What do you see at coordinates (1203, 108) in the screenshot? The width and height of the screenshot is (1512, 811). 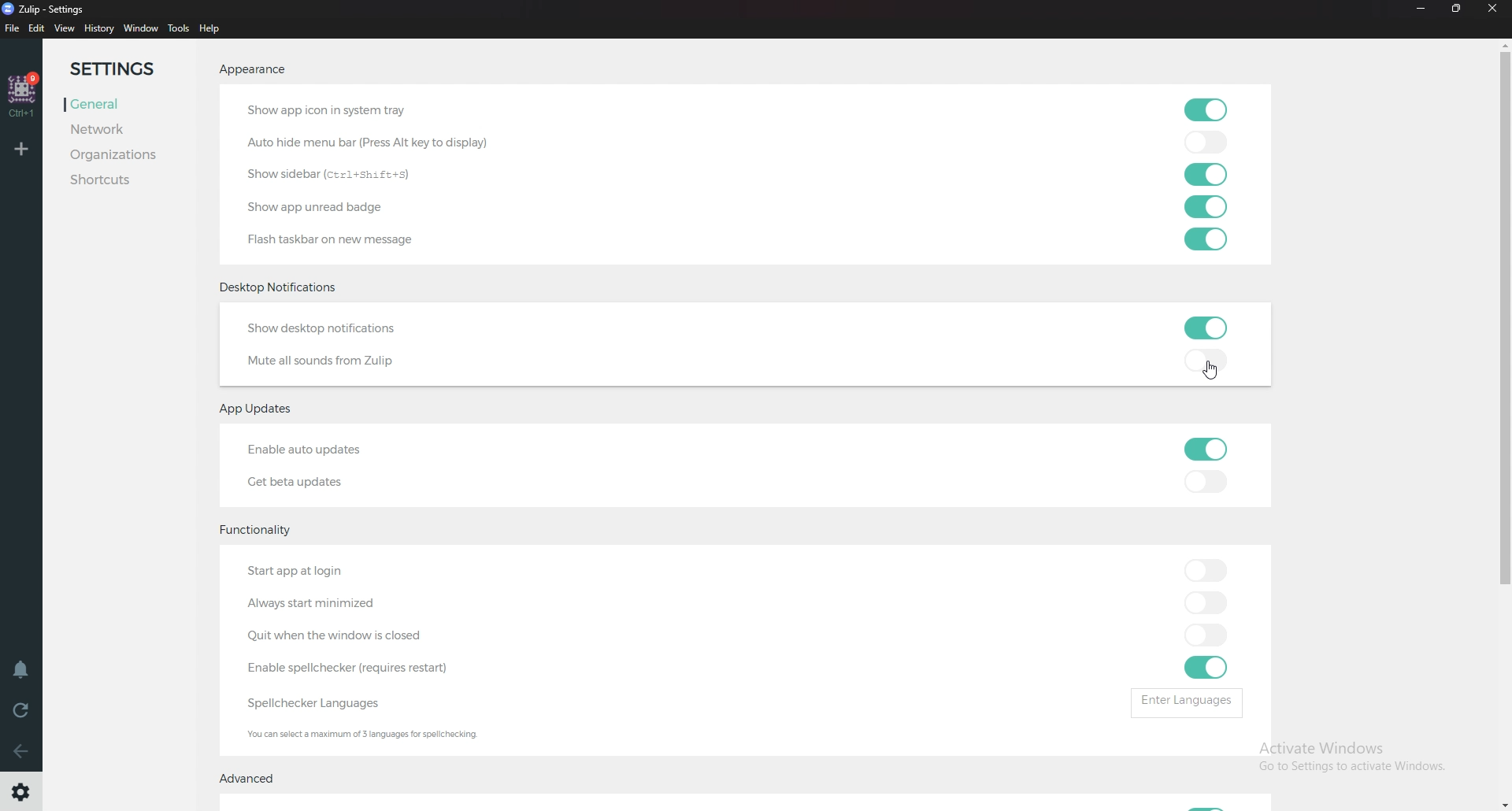 I see `toggle` at bounding box center [1203, 108].